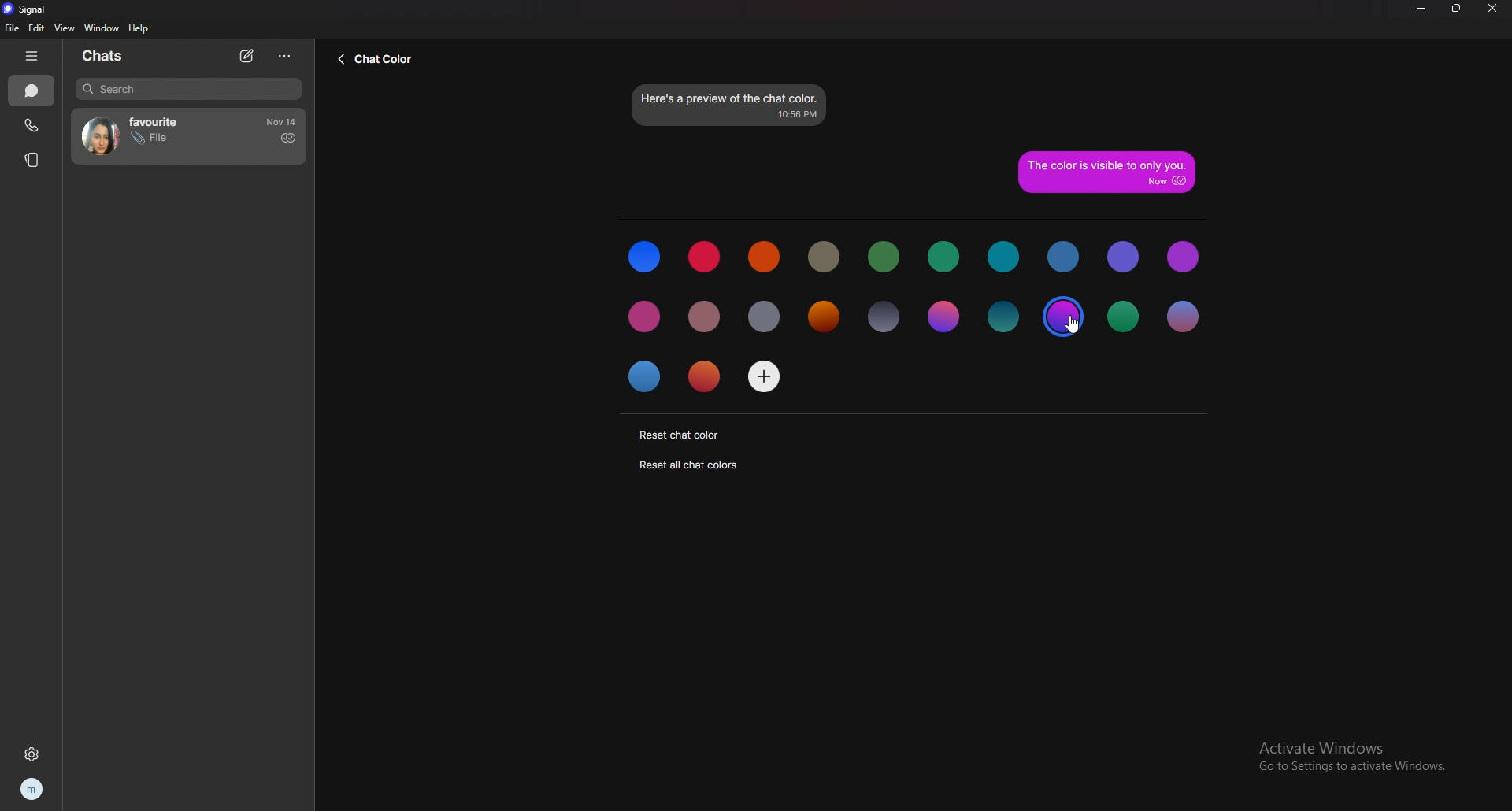 Image resolution: width=1512 pixels, height=811 pixels. Describe the element at coordinates (380, 61) in the screenshot. I see `back` at that location.